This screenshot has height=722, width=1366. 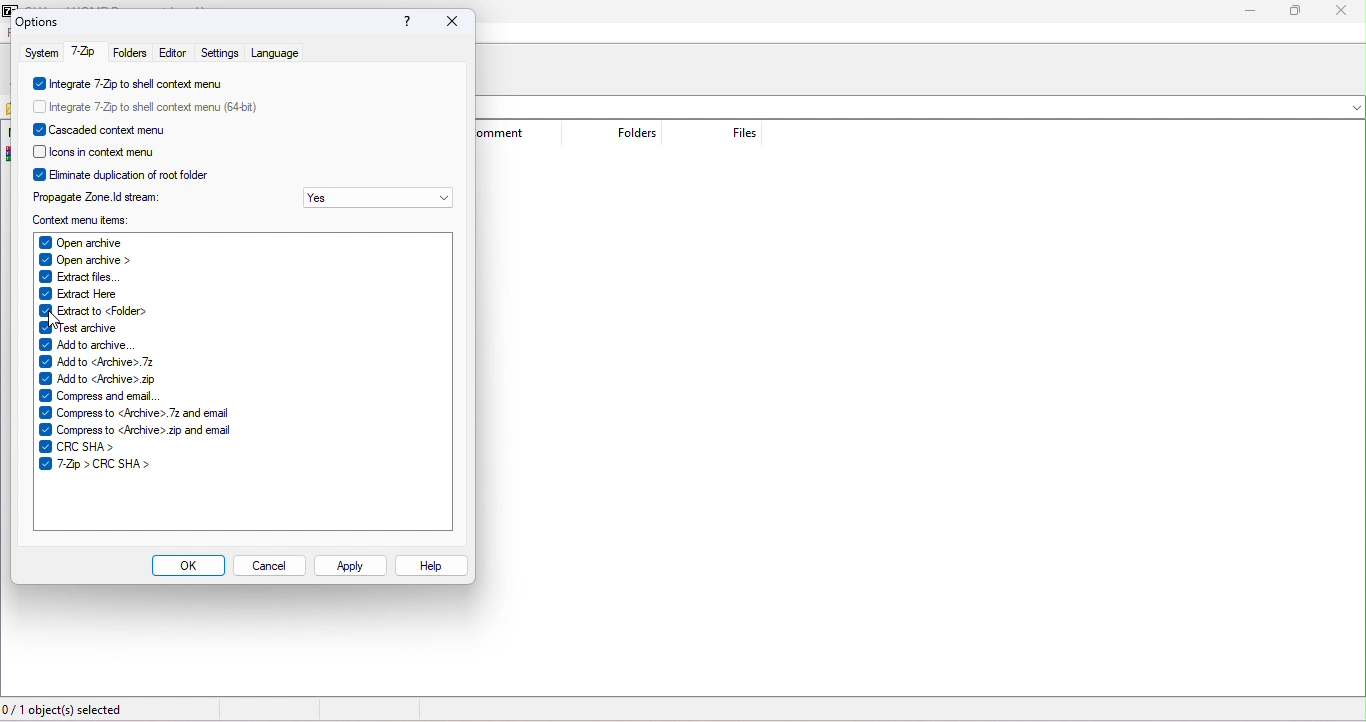 I want to click on integrate 7 zip to shell context menu, so click(x=132, y=83).